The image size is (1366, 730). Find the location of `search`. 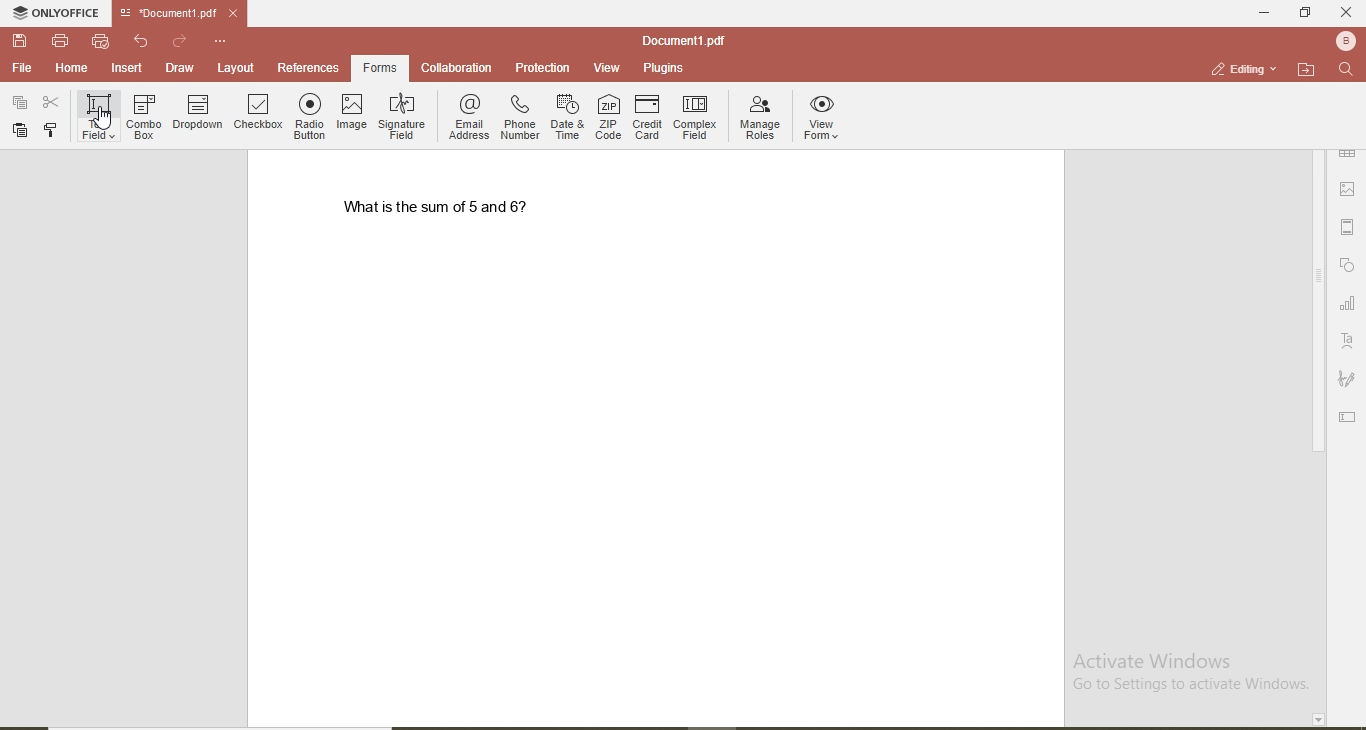

search is located at coordinates (1343, 70).